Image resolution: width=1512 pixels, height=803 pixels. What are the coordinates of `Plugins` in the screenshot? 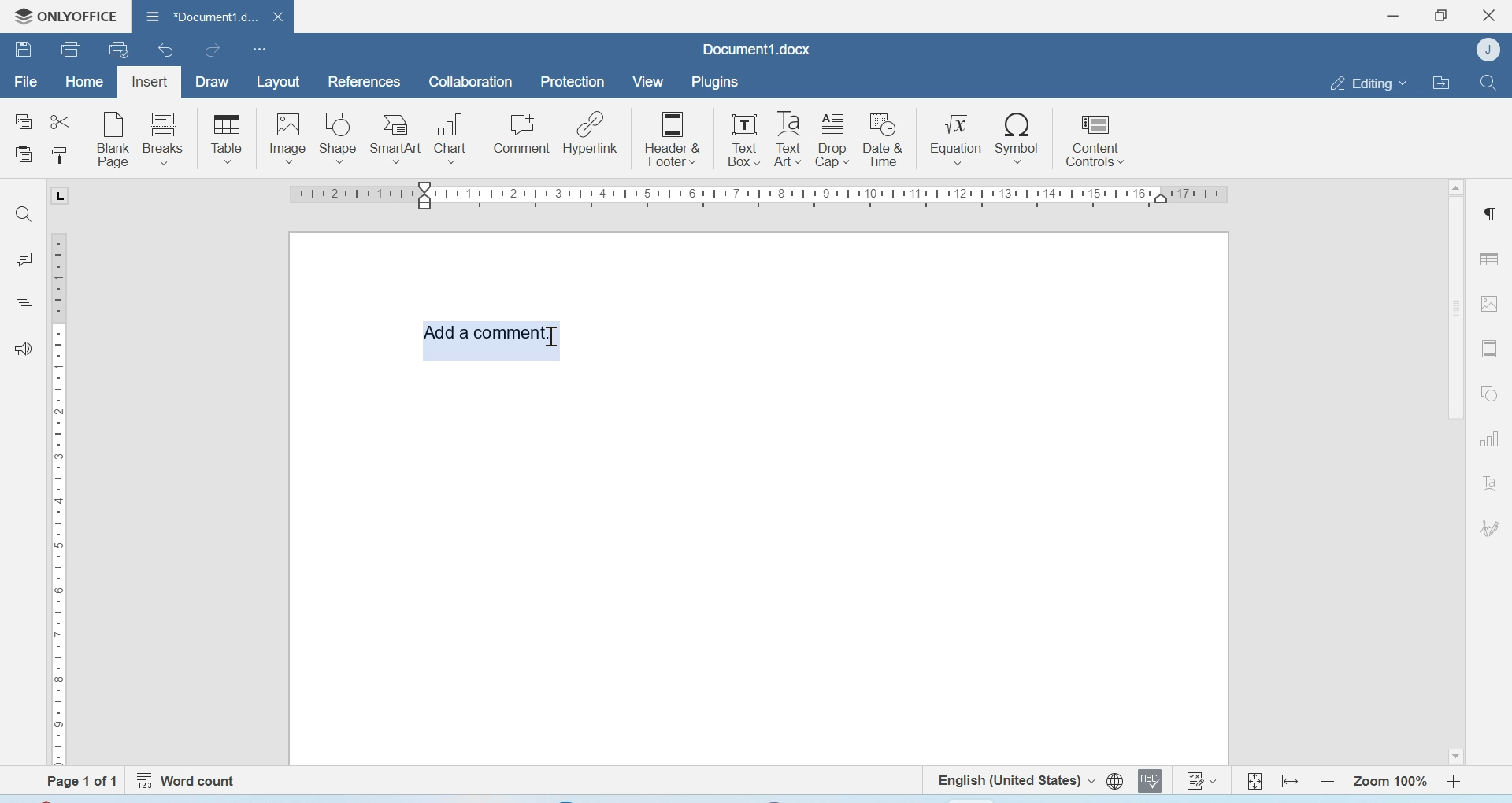 It's located at (713, 82).